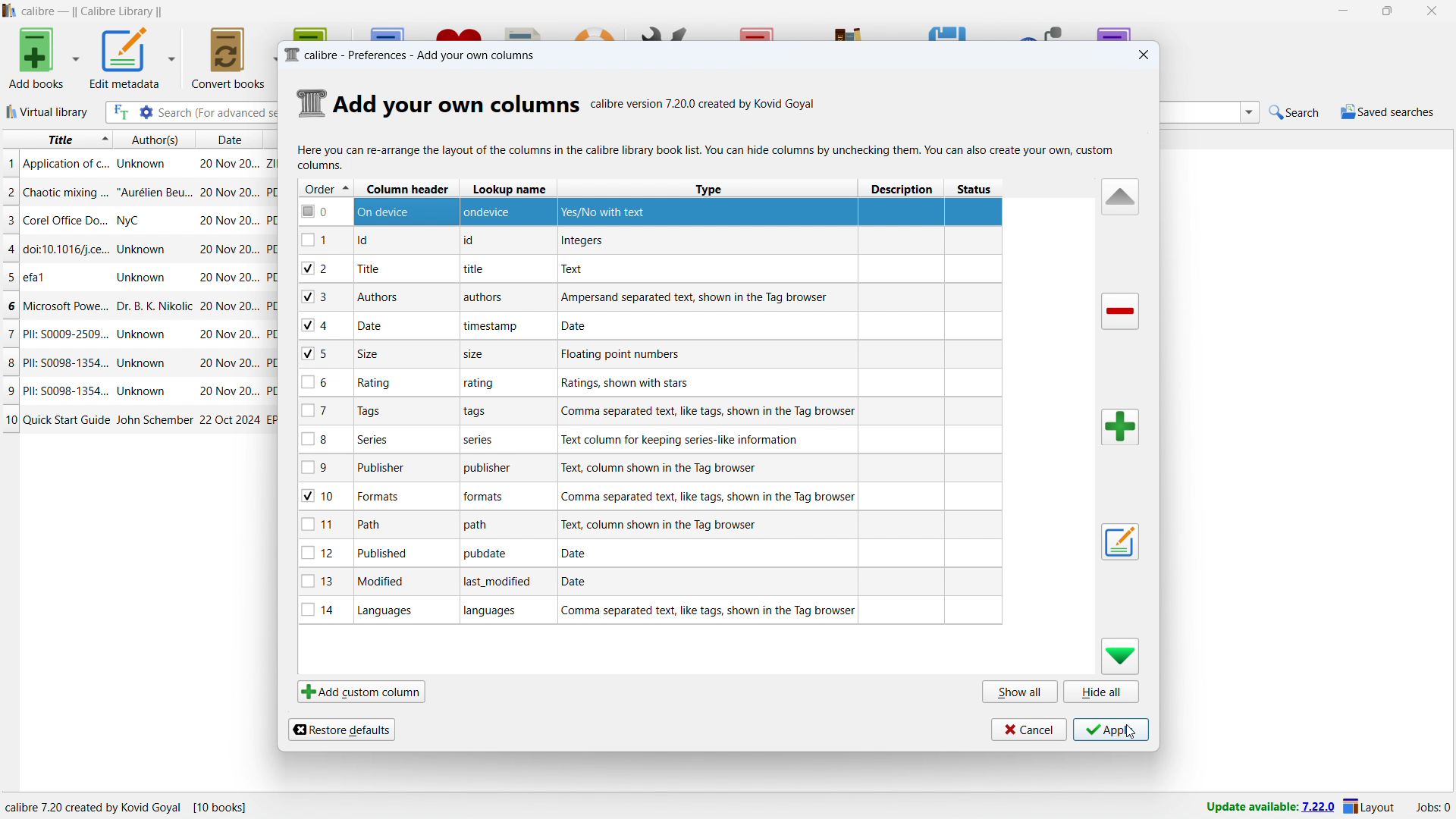  I want to click on date, so click(227, 139).